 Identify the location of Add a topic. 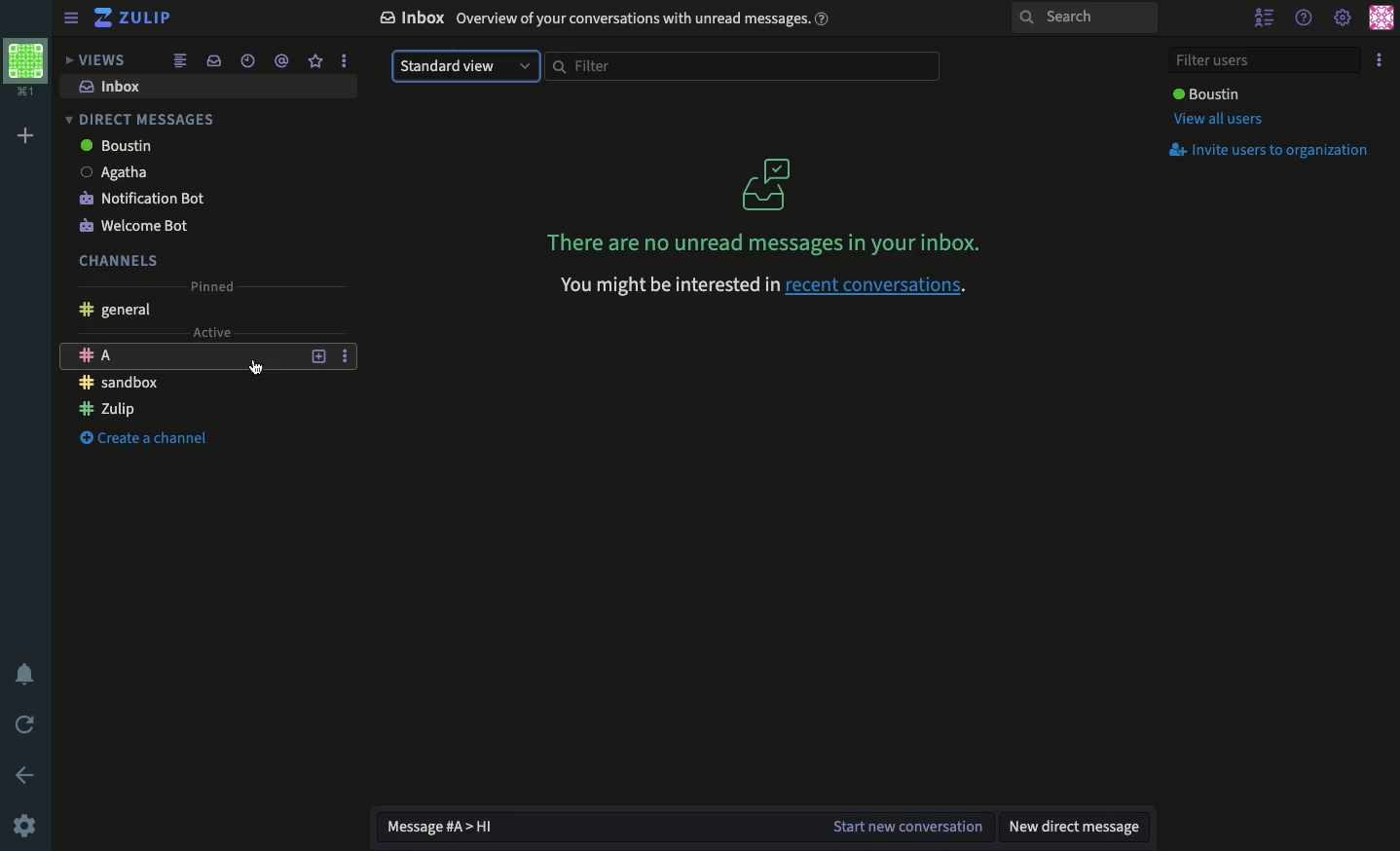
(321, 357).